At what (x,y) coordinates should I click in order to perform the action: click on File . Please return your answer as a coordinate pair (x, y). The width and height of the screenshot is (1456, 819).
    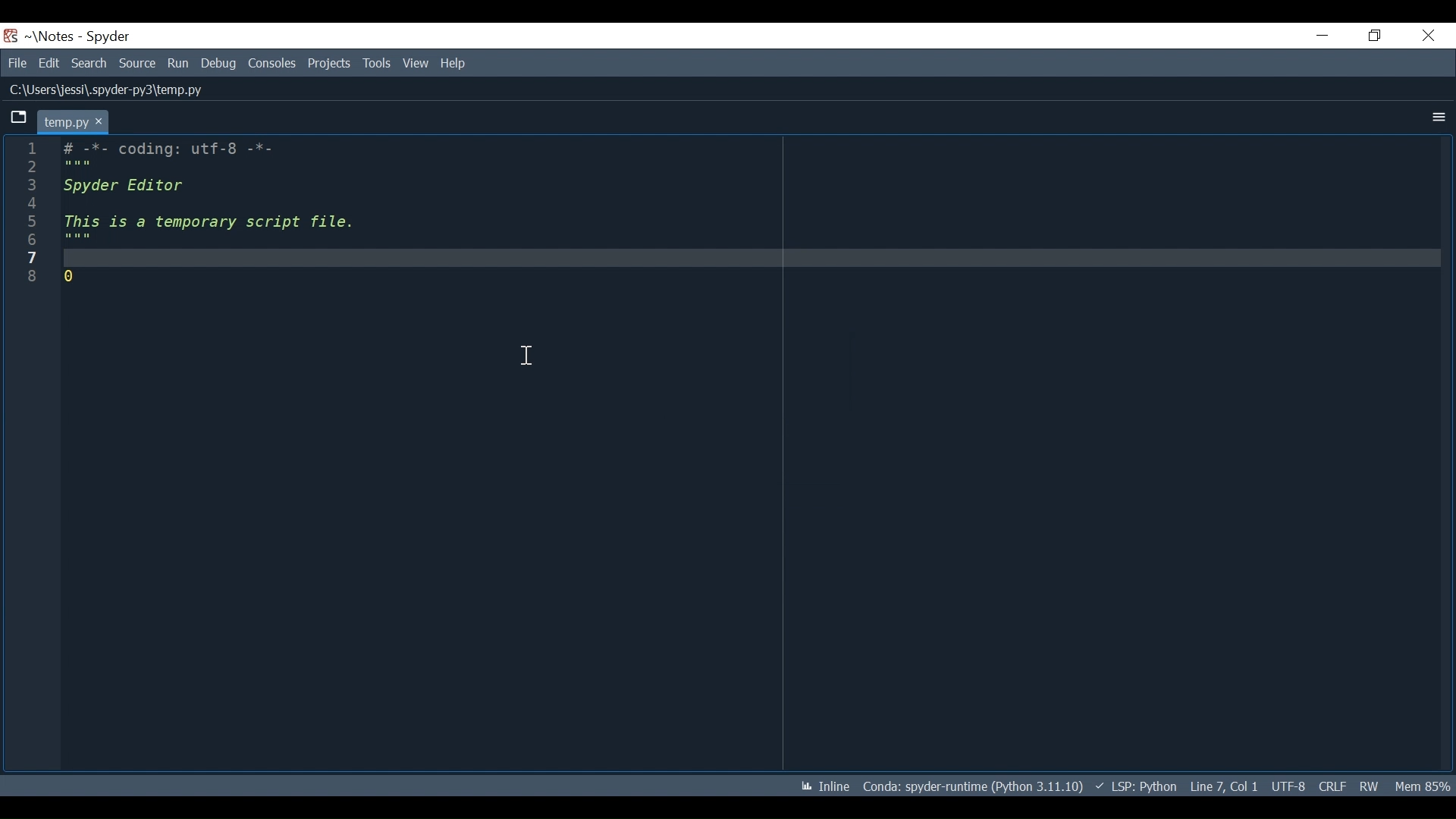
    Looking at the image, I should click on (17, 62).